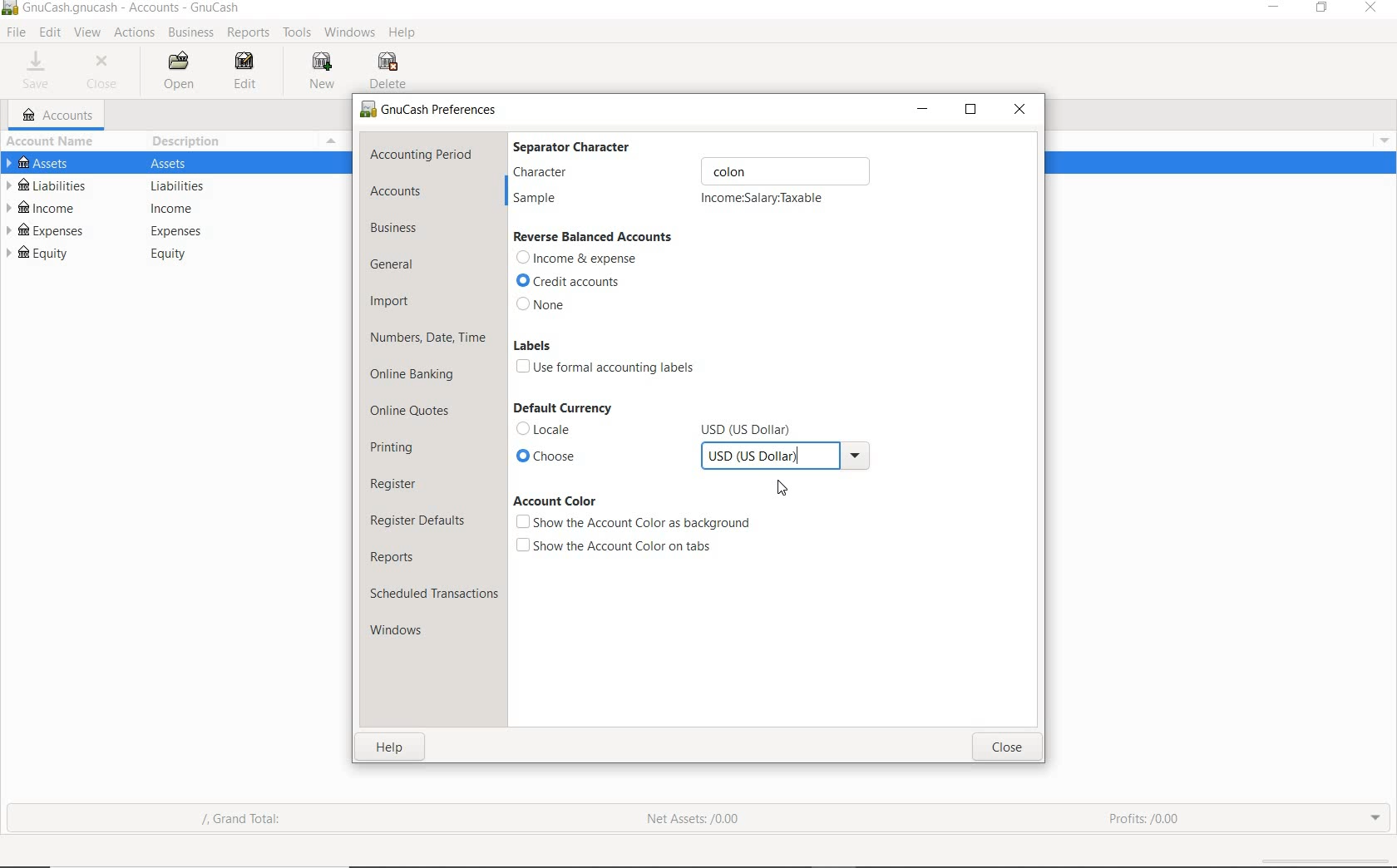 The image size is (1397, 868). I want to click on register, so click(395, 483).